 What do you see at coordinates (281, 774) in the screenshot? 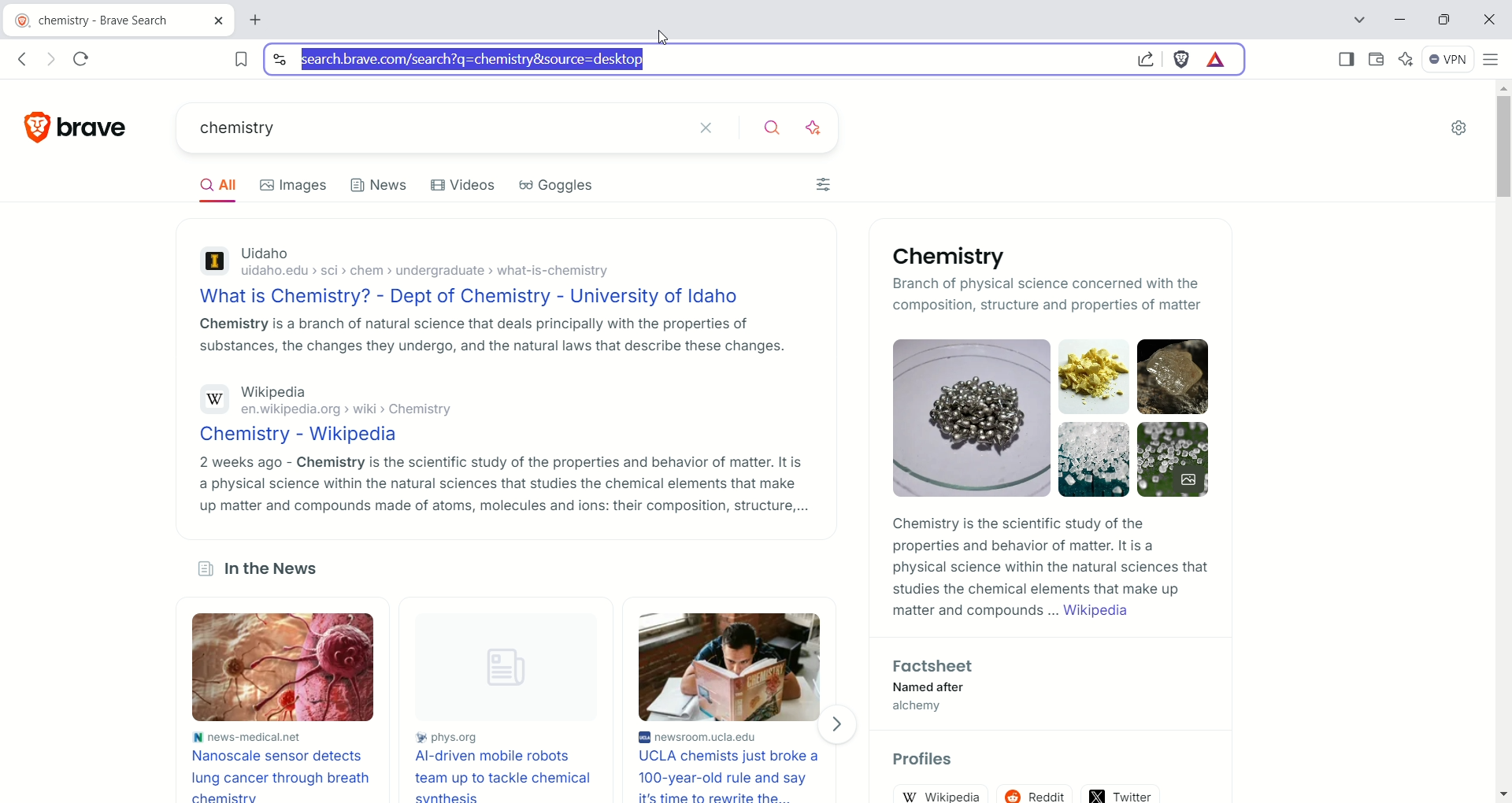
I see `Nanoscale sensor detects lung cancer through breath chemistry ` at bounding box center [281, 774].